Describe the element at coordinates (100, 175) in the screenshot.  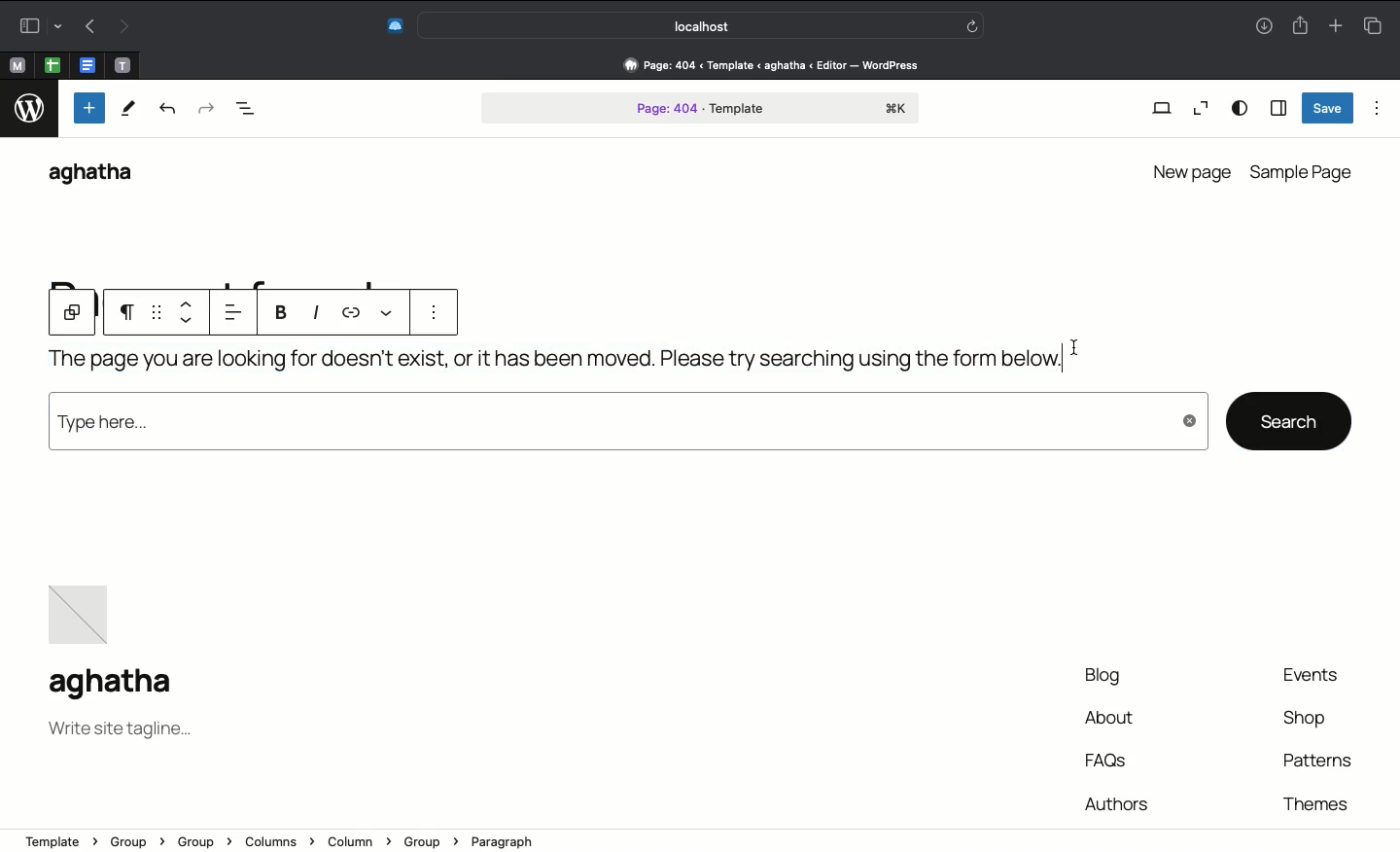
I see `WordPress name` at that location.